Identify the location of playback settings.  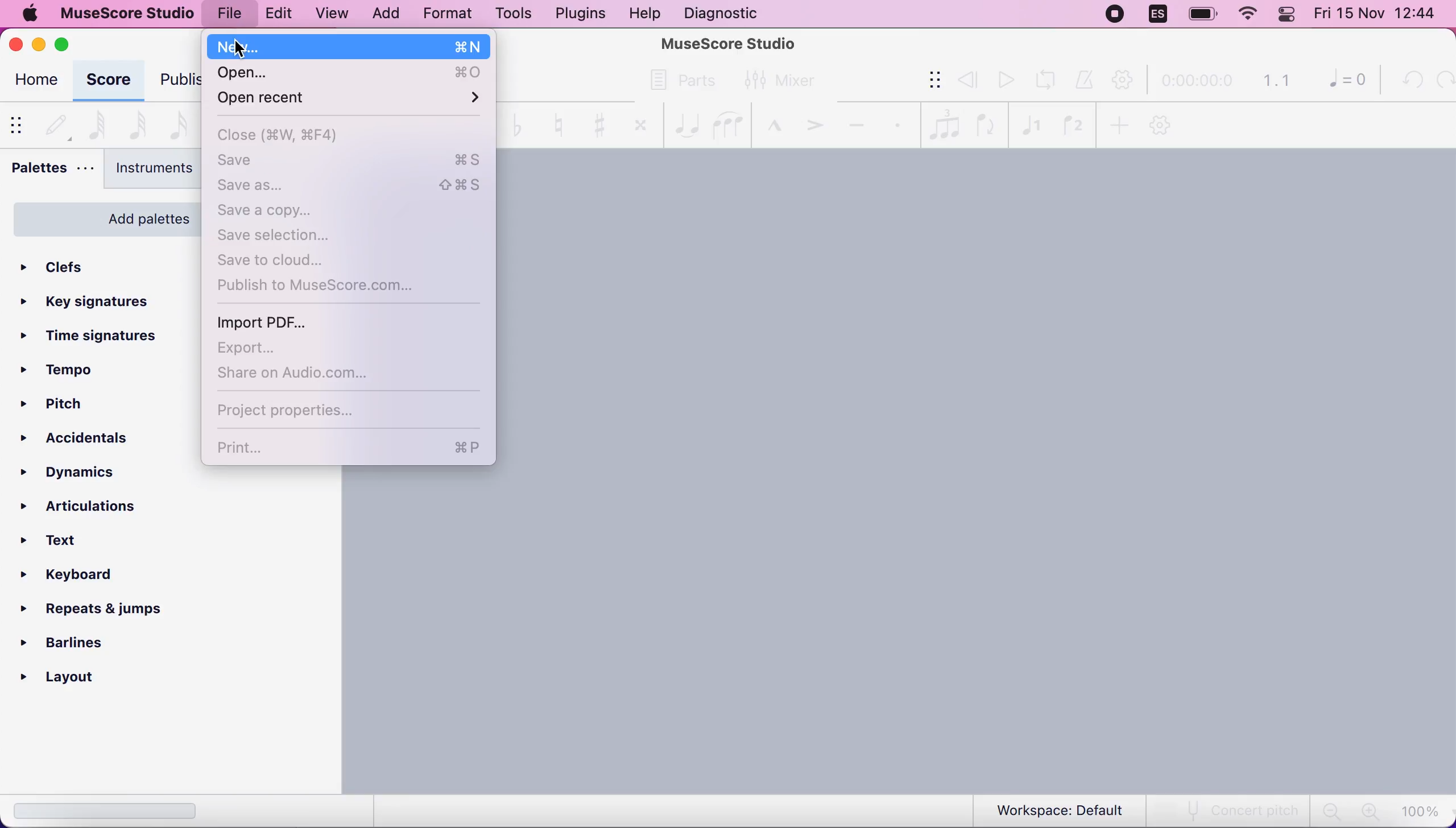
(1126, 81).